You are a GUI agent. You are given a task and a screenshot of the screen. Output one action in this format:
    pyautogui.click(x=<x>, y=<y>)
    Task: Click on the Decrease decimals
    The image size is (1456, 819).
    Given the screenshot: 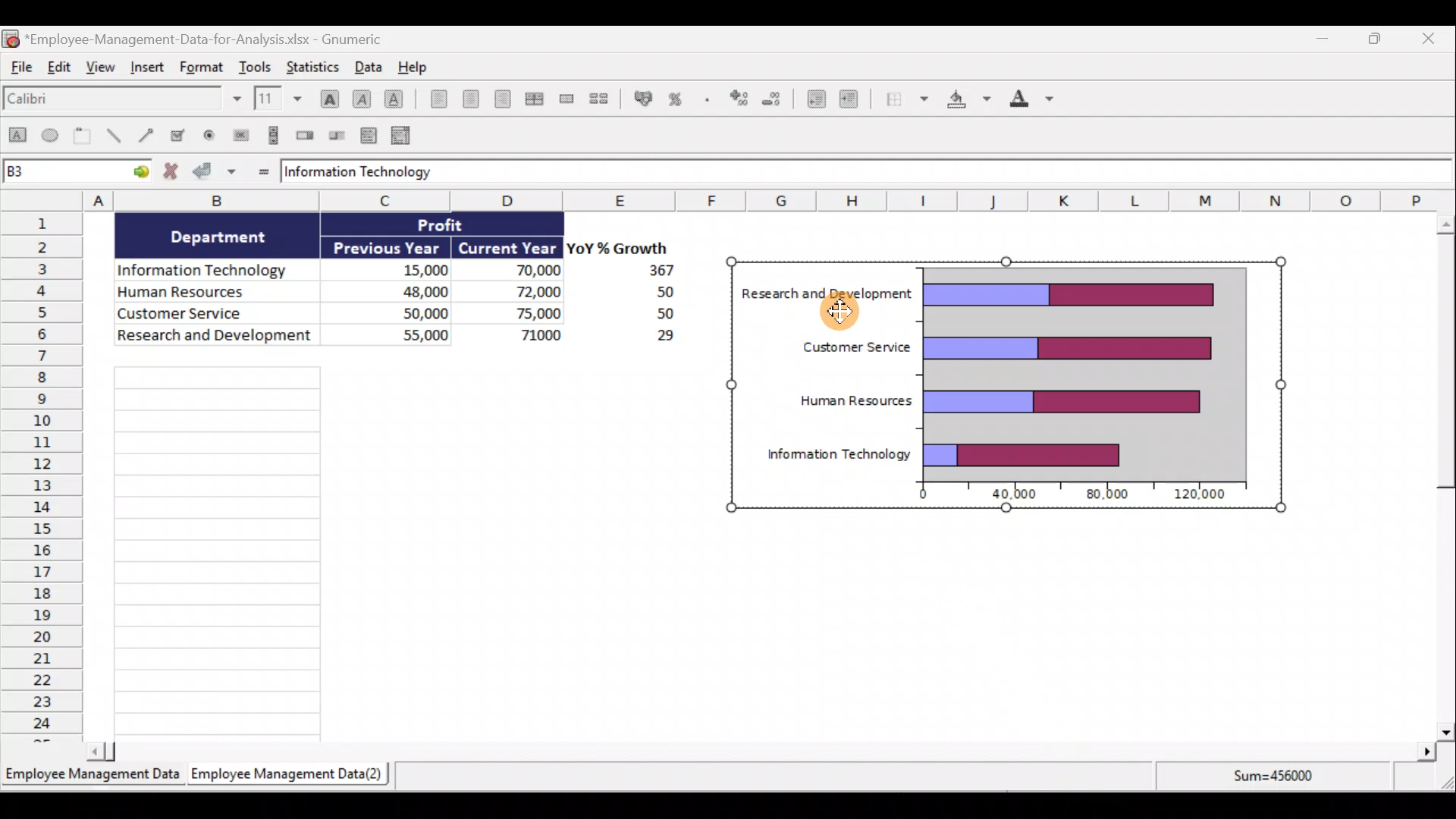 What is the action you would take?
    pyautogui.click(x=776, y=103)
    